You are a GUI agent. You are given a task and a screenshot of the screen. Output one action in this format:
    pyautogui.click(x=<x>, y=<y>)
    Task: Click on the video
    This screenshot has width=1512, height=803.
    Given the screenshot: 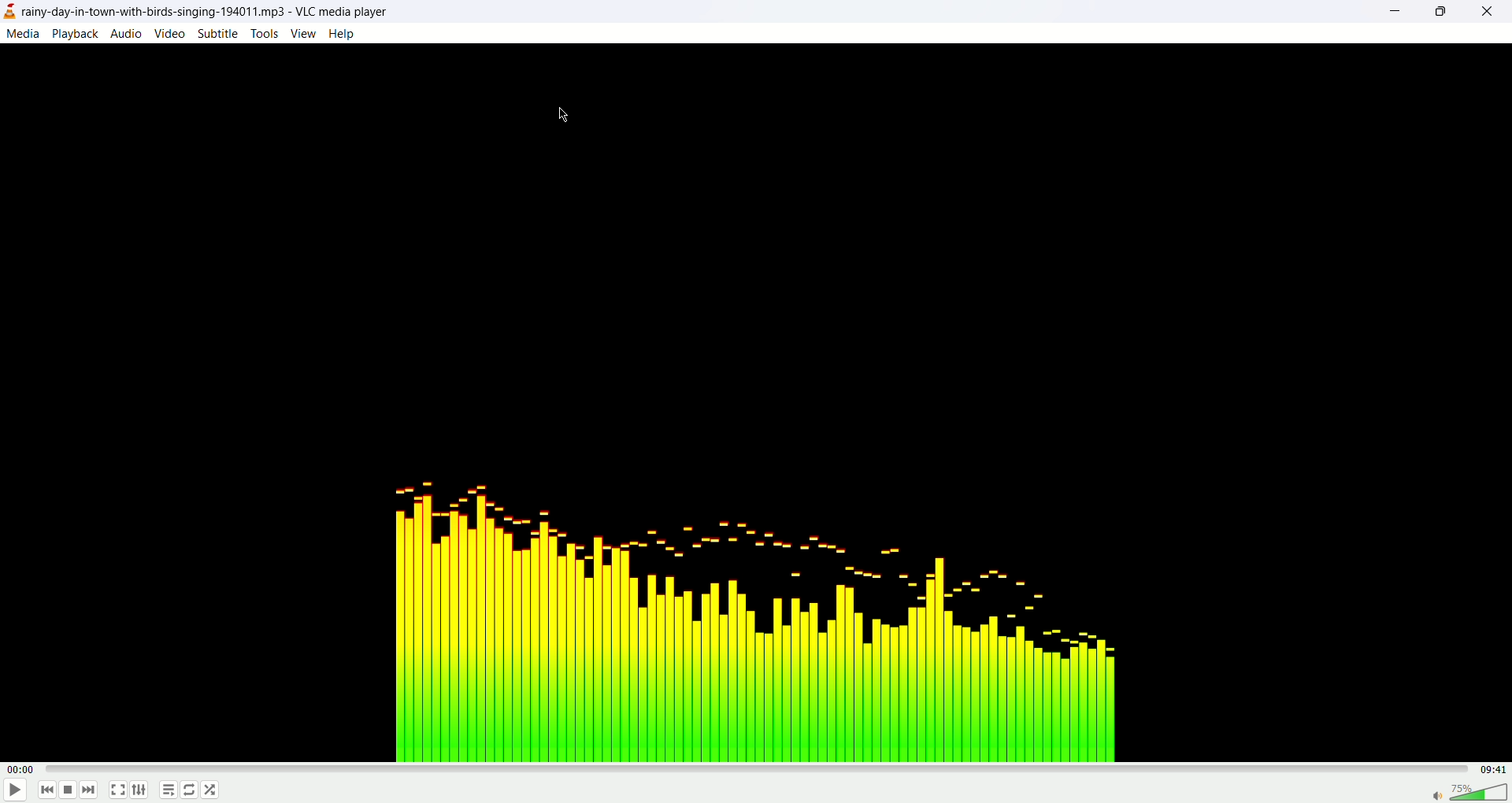 What is the action you would take?
    pyautogui.click(x=170, y=32)
    